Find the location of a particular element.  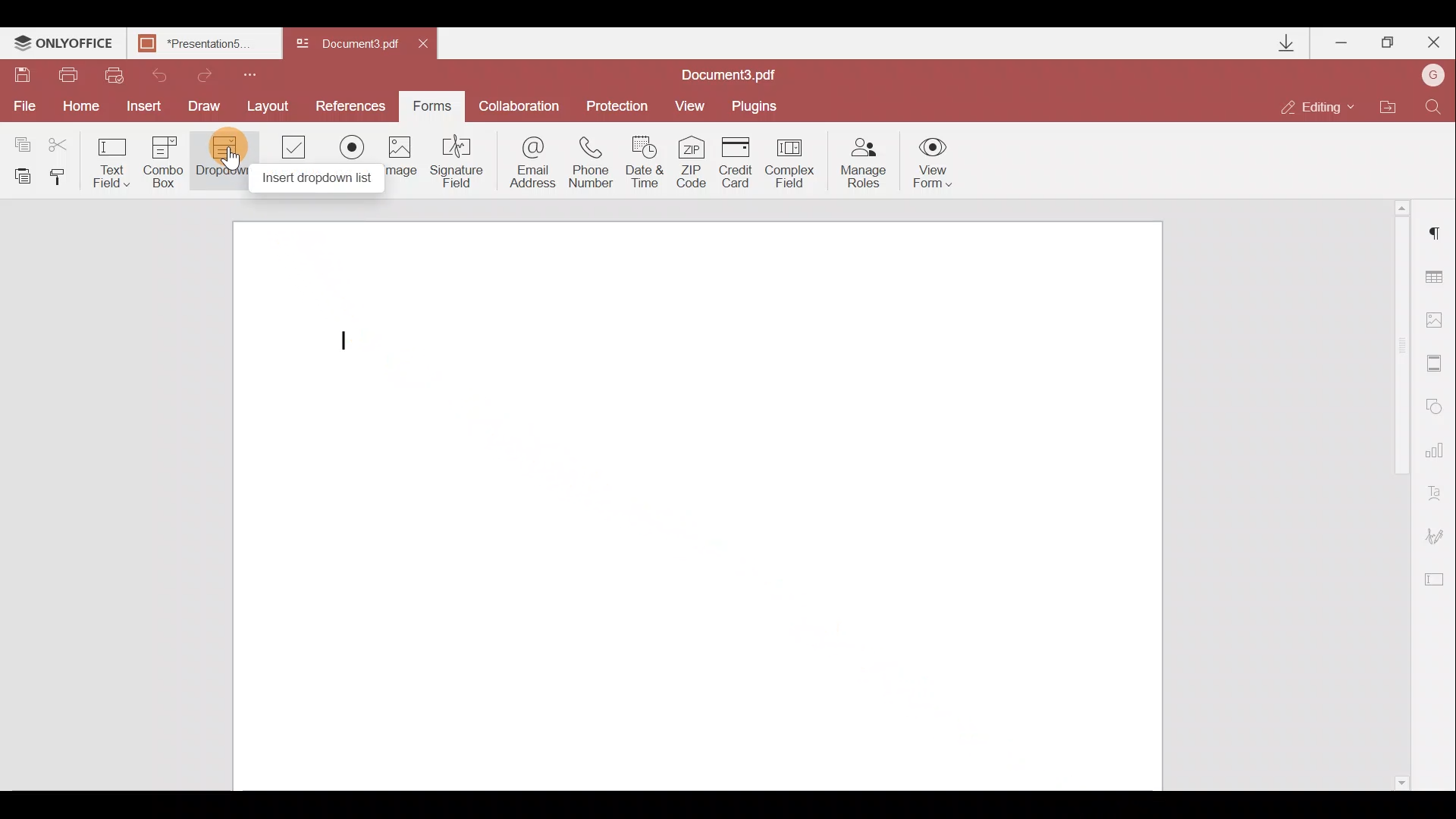

Downloads is located at coordinates (1288, 43).